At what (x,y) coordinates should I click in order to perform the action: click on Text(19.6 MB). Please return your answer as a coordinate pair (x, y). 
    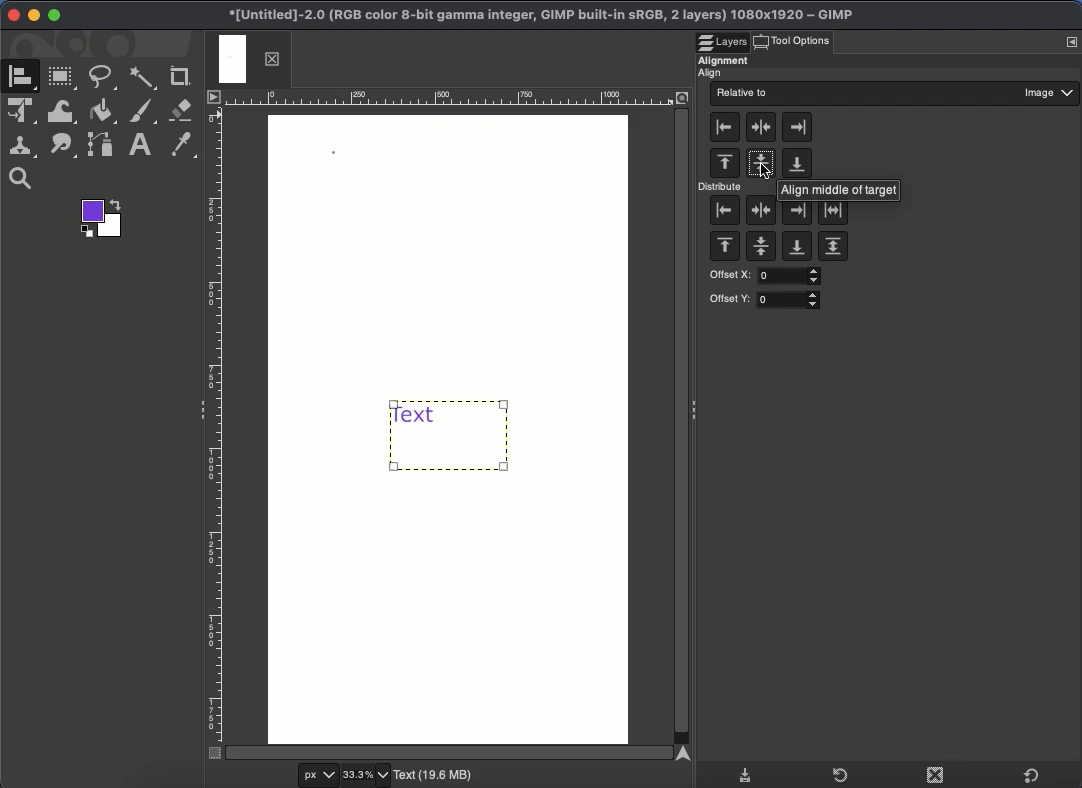
    Looking at the image, I should click on (436, 777).